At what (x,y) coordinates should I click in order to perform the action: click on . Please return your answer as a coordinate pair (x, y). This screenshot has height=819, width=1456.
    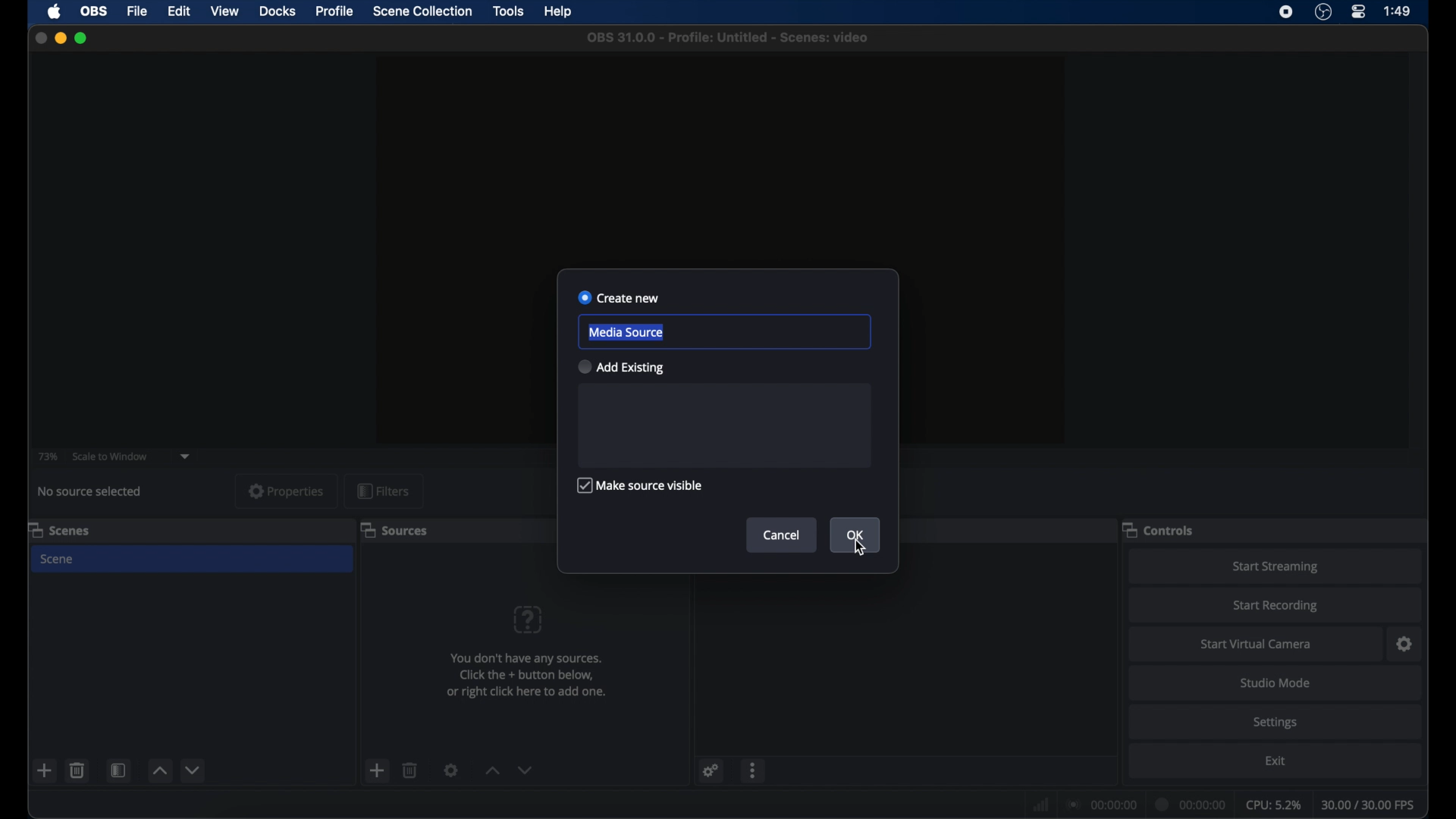
    Looking at the image, I should click on (1274, 804).